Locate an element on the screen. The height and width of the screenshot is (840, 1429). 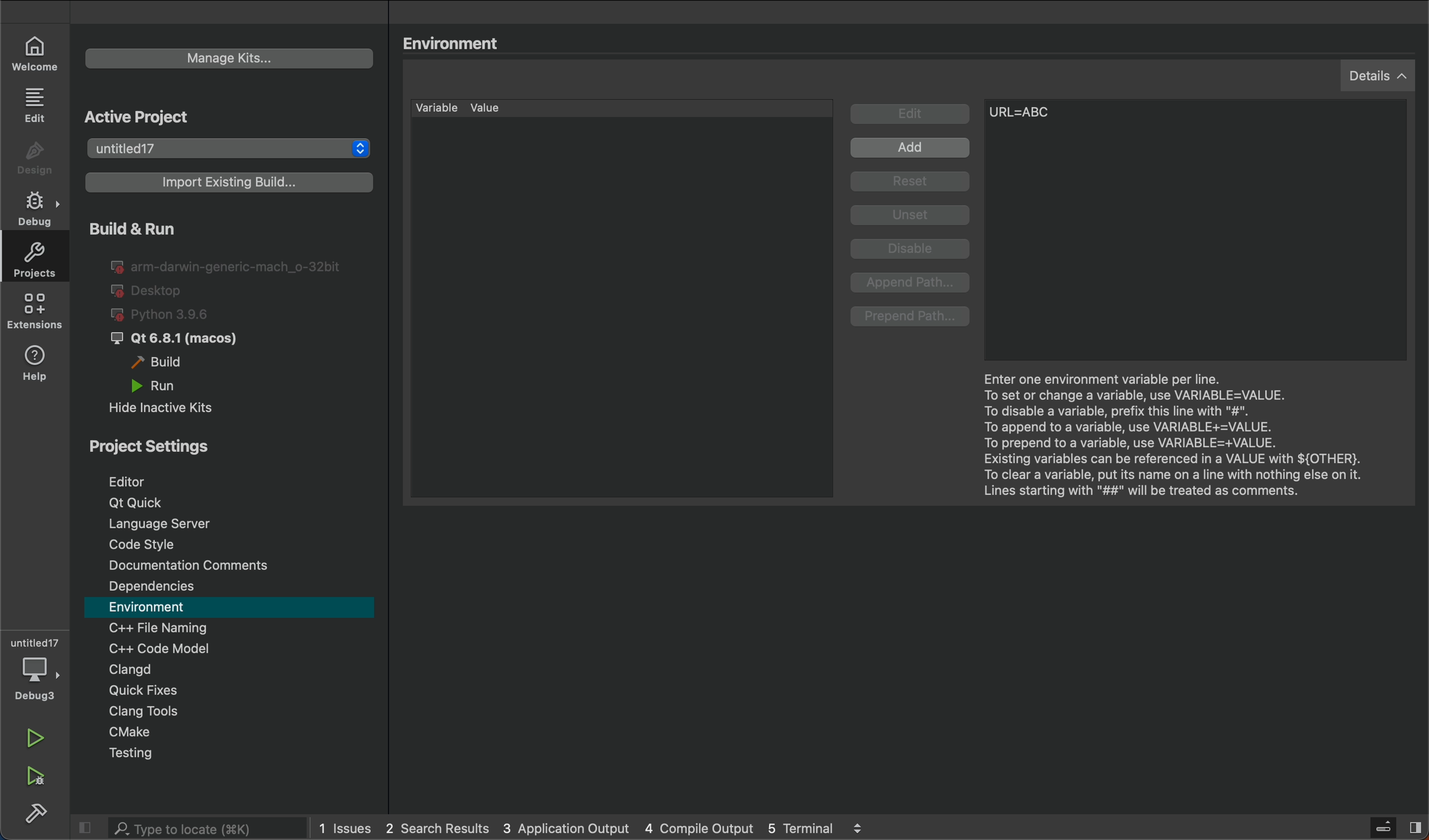
3 application output is located at coordinates (565, 828).